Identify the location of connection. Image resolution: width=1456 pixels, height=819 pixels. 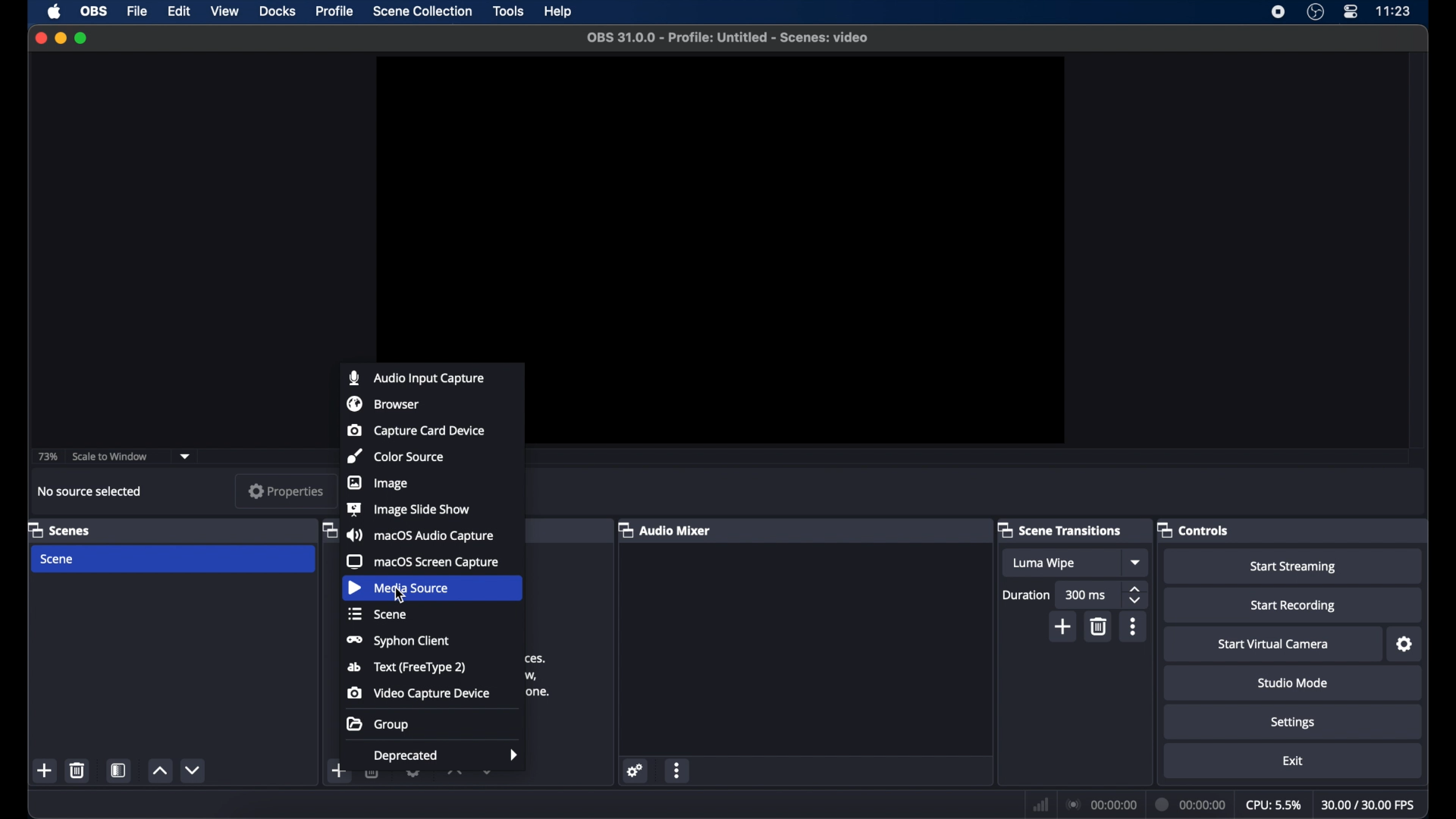
(1103, 805).